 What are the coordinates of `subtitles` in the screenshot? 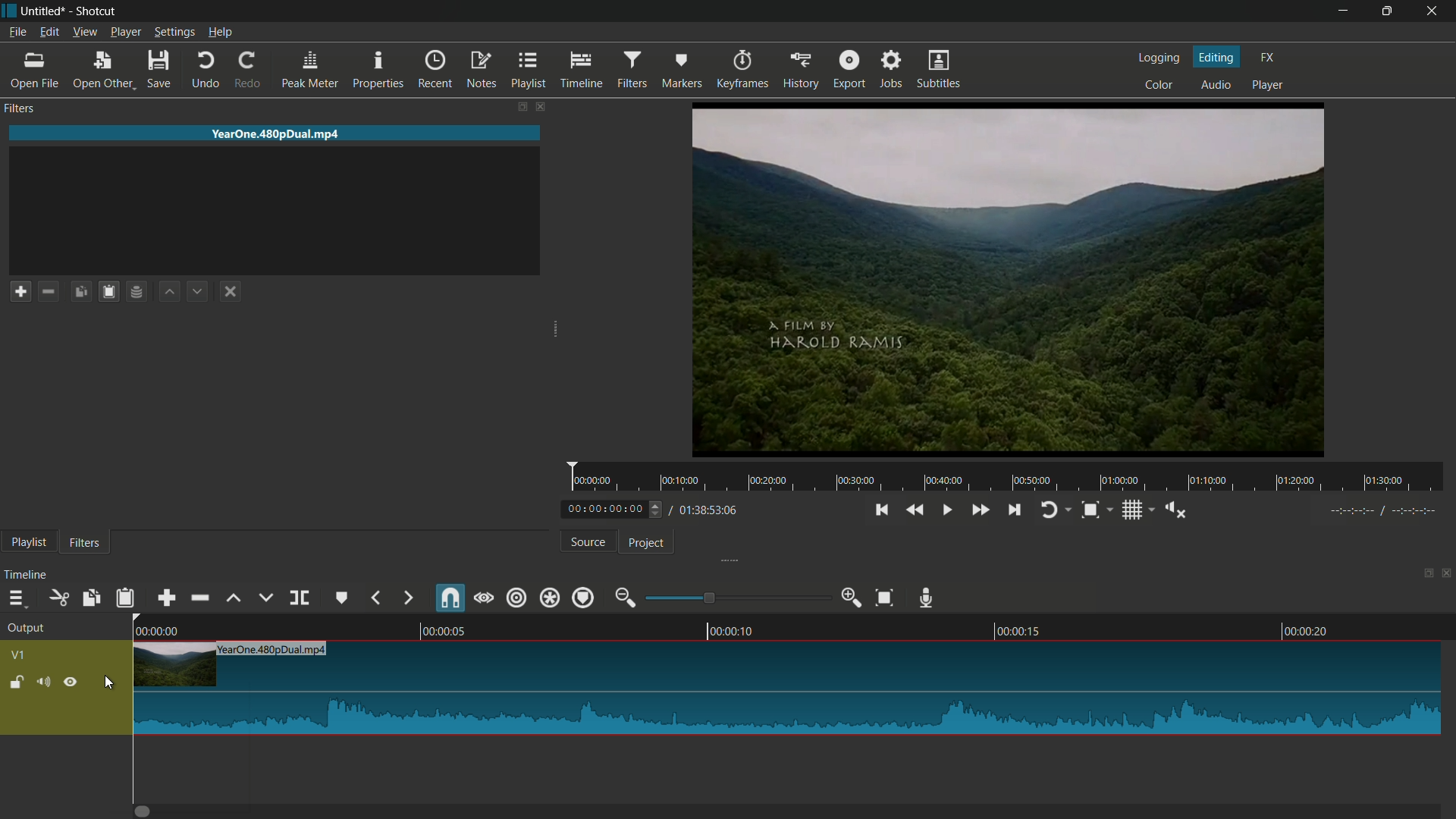 It's located at (940, 71).